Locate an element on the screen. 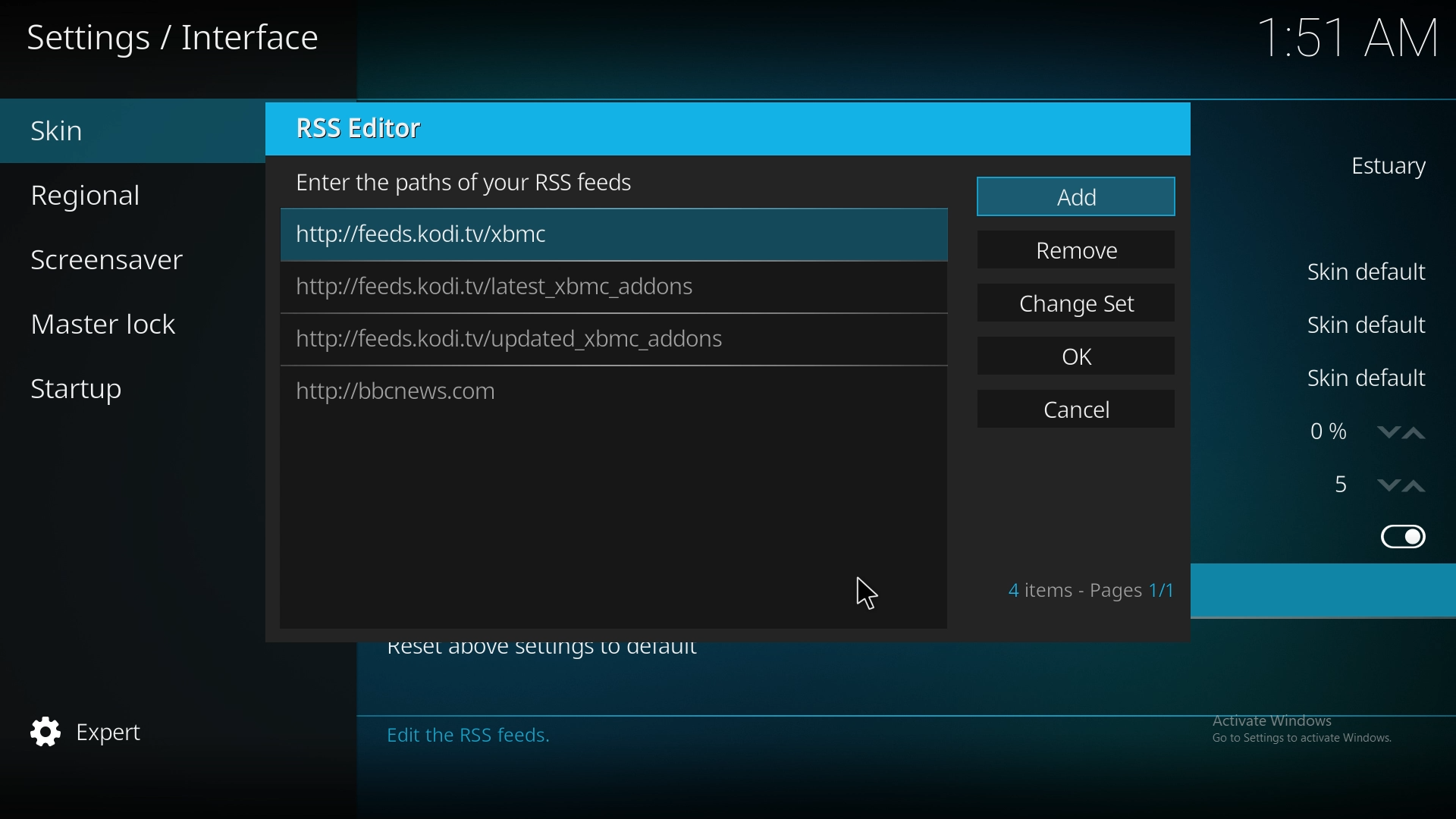  change set is located at coordinates (1078, 303).